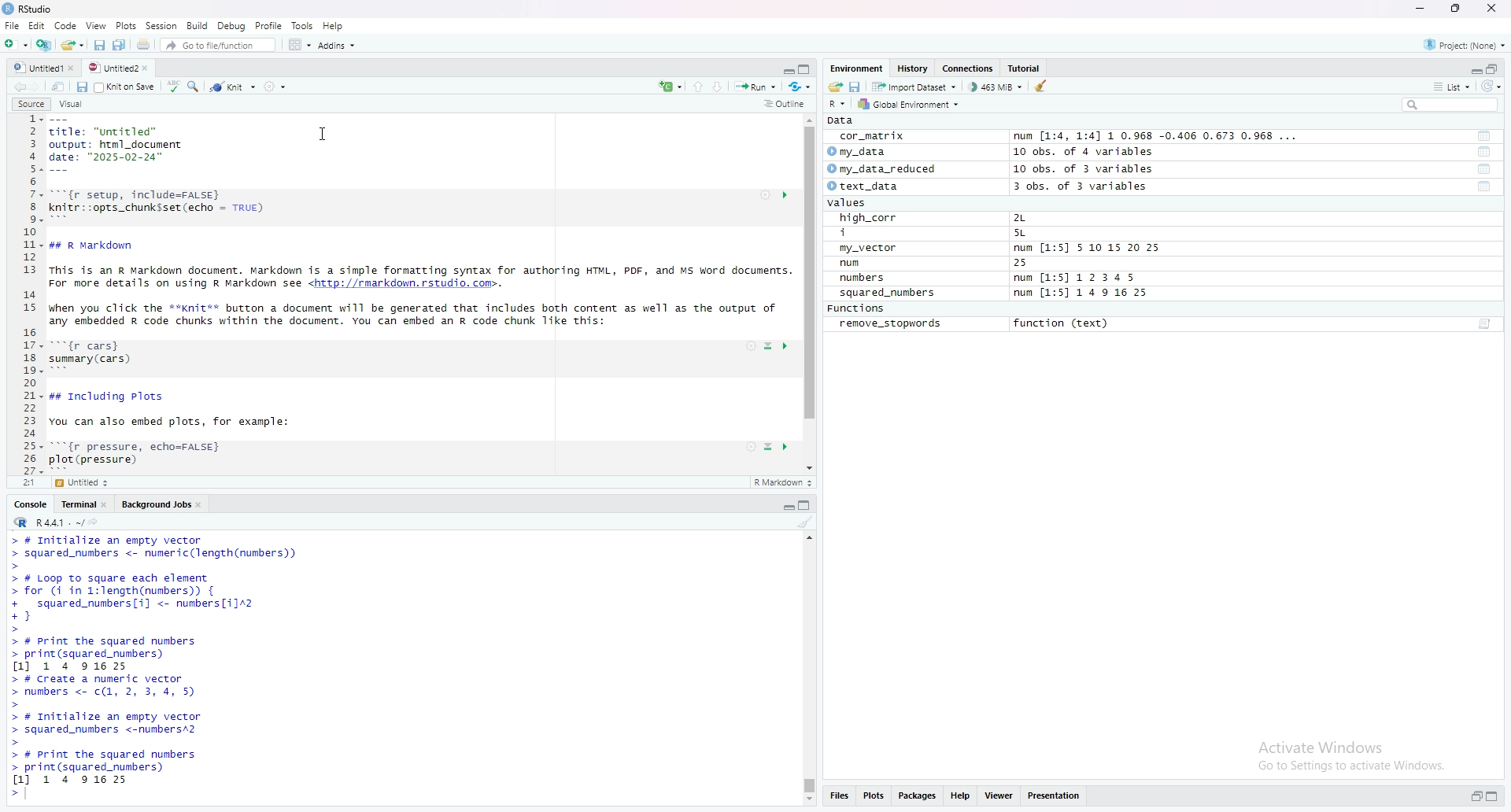 This screenshot has width=1511, height=812. What do you see at coordinates (113, 68) in the screenshot?
I see `untitled 2` at bounding box center [113, 68].